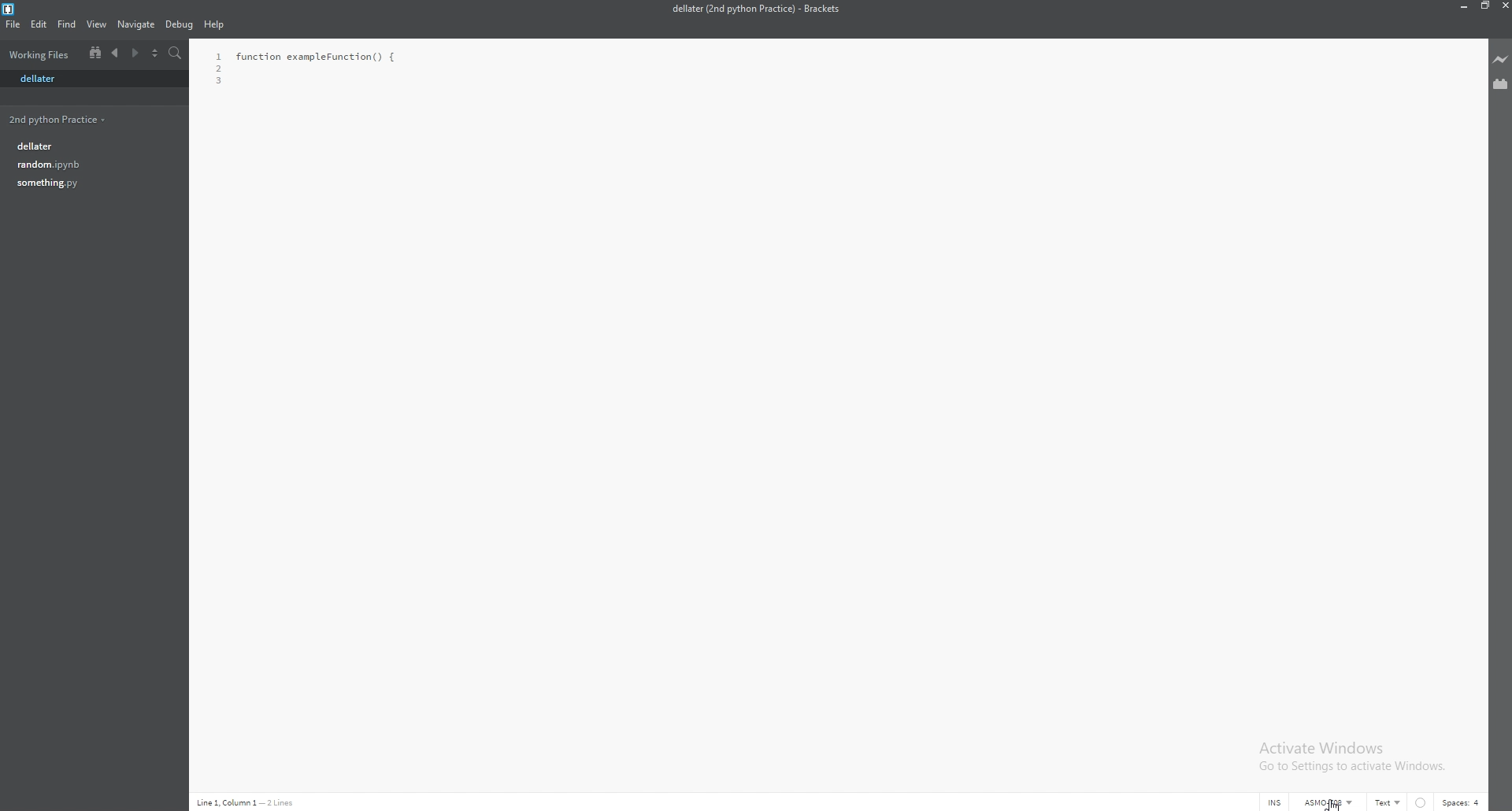 The width and height of the screenshot is (1512, 811). I want to click on linter, so click(1421, 802).